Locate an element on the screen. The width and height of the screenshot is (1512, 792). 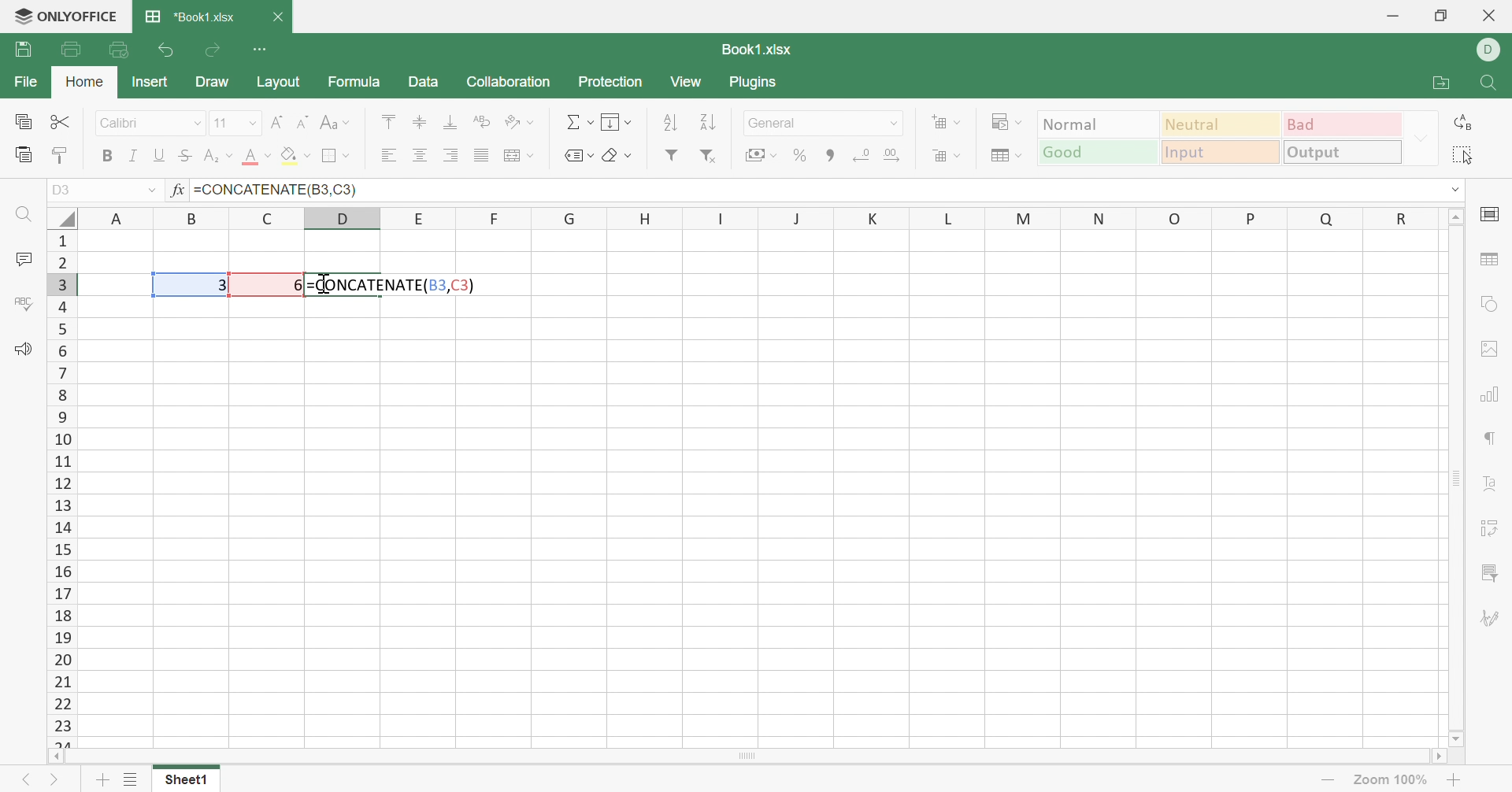
Bad is located at coordinates (1343, 128).